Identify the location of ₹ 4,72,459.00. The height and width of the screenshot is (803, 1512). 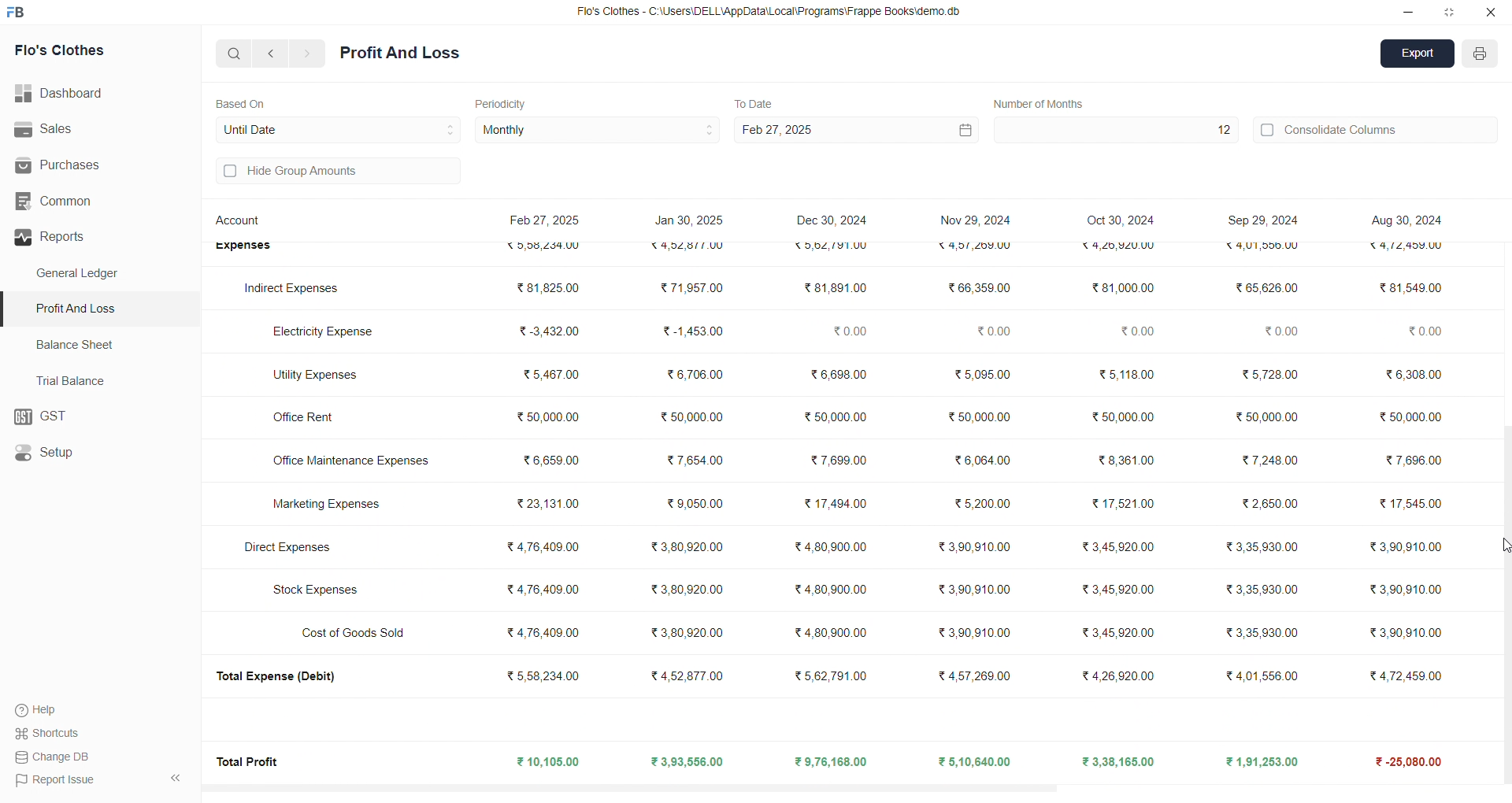
(1402, 674).